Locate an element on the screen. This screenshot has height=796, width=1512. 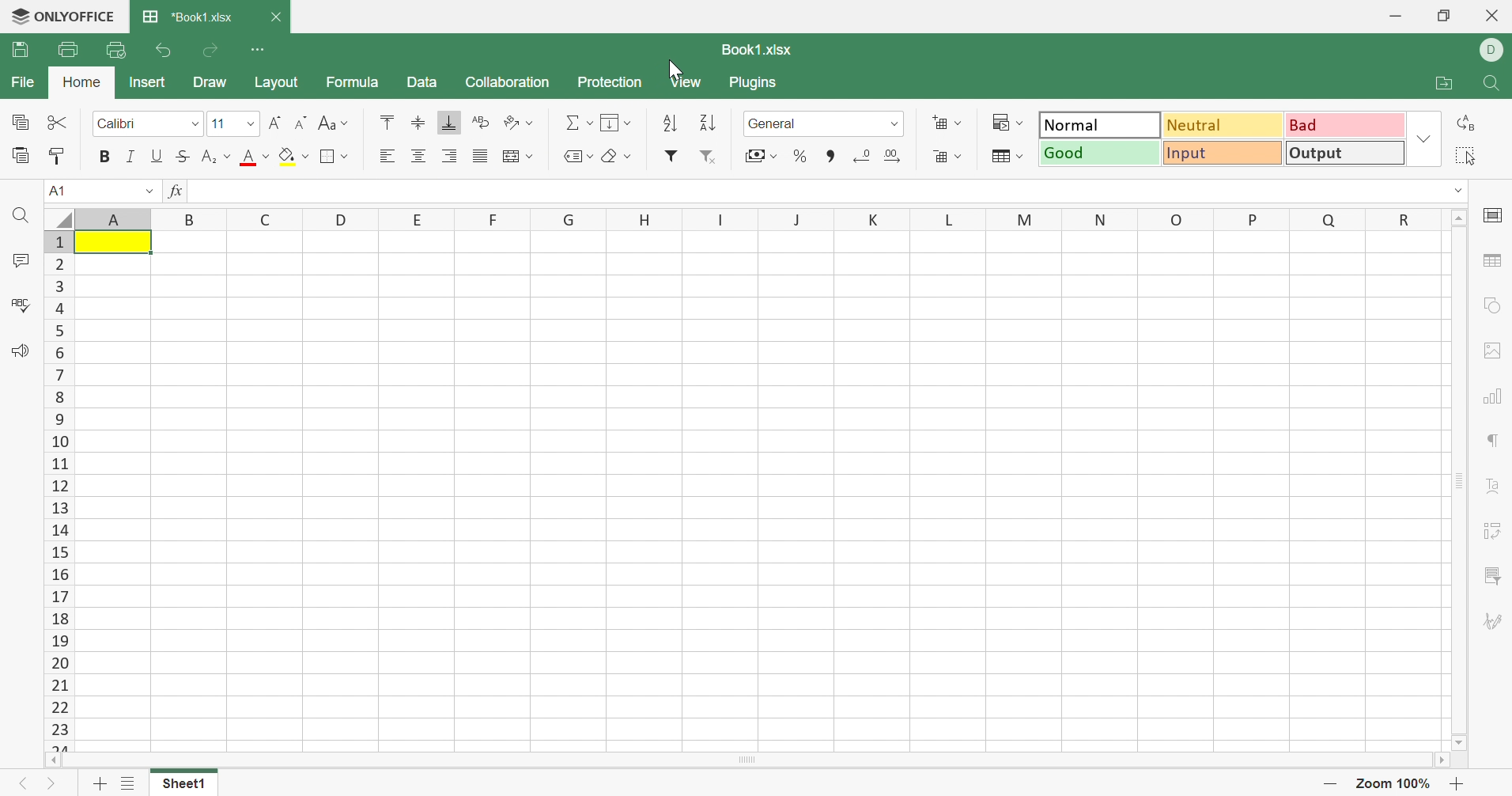
Scroll Bar is located at coordinates (746, 760).